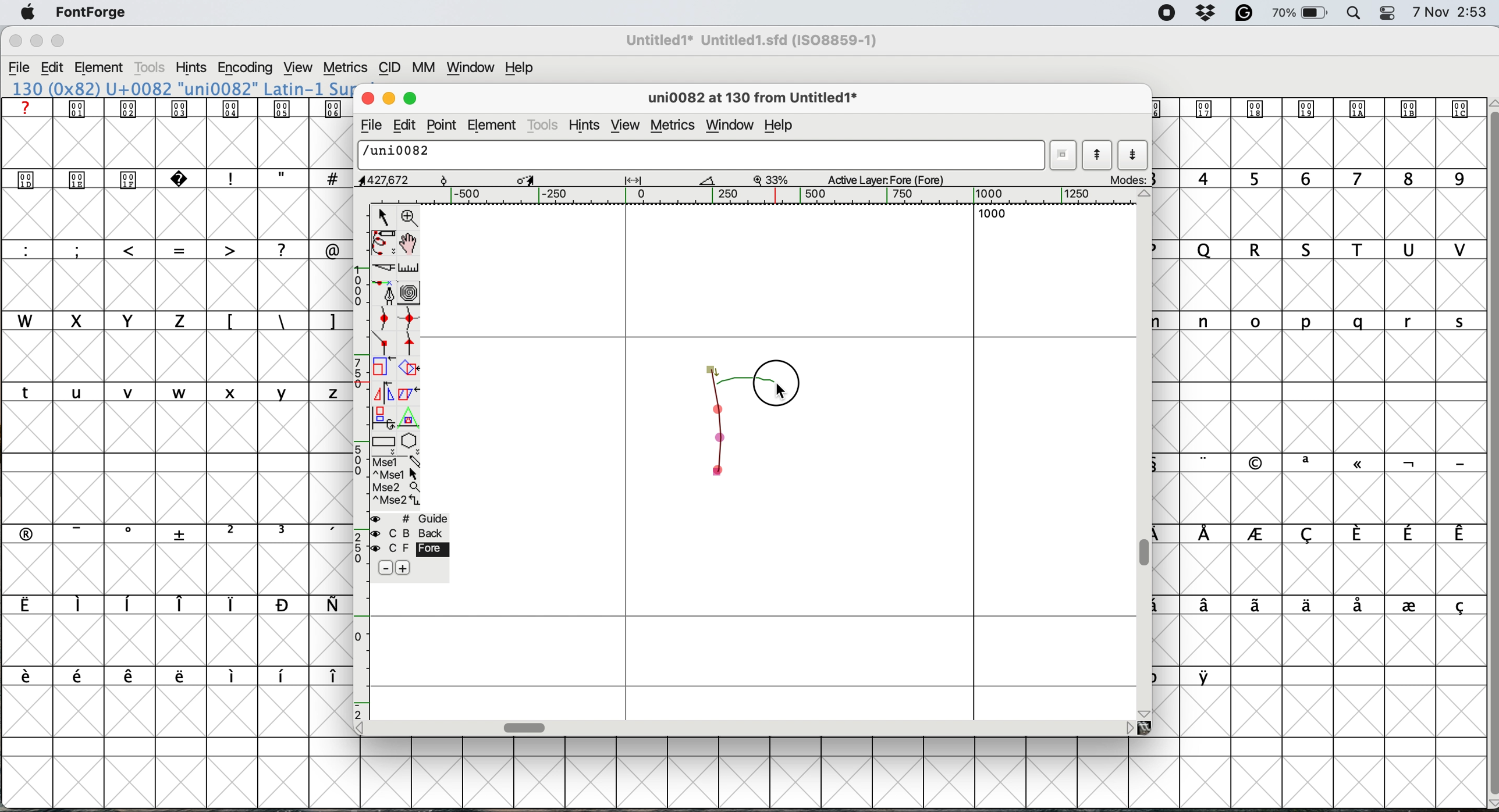 This screenshot has width=1499, height=812. Describe the element at coordinates (177, 108) in the screenshot. I see `special icons` at that location.